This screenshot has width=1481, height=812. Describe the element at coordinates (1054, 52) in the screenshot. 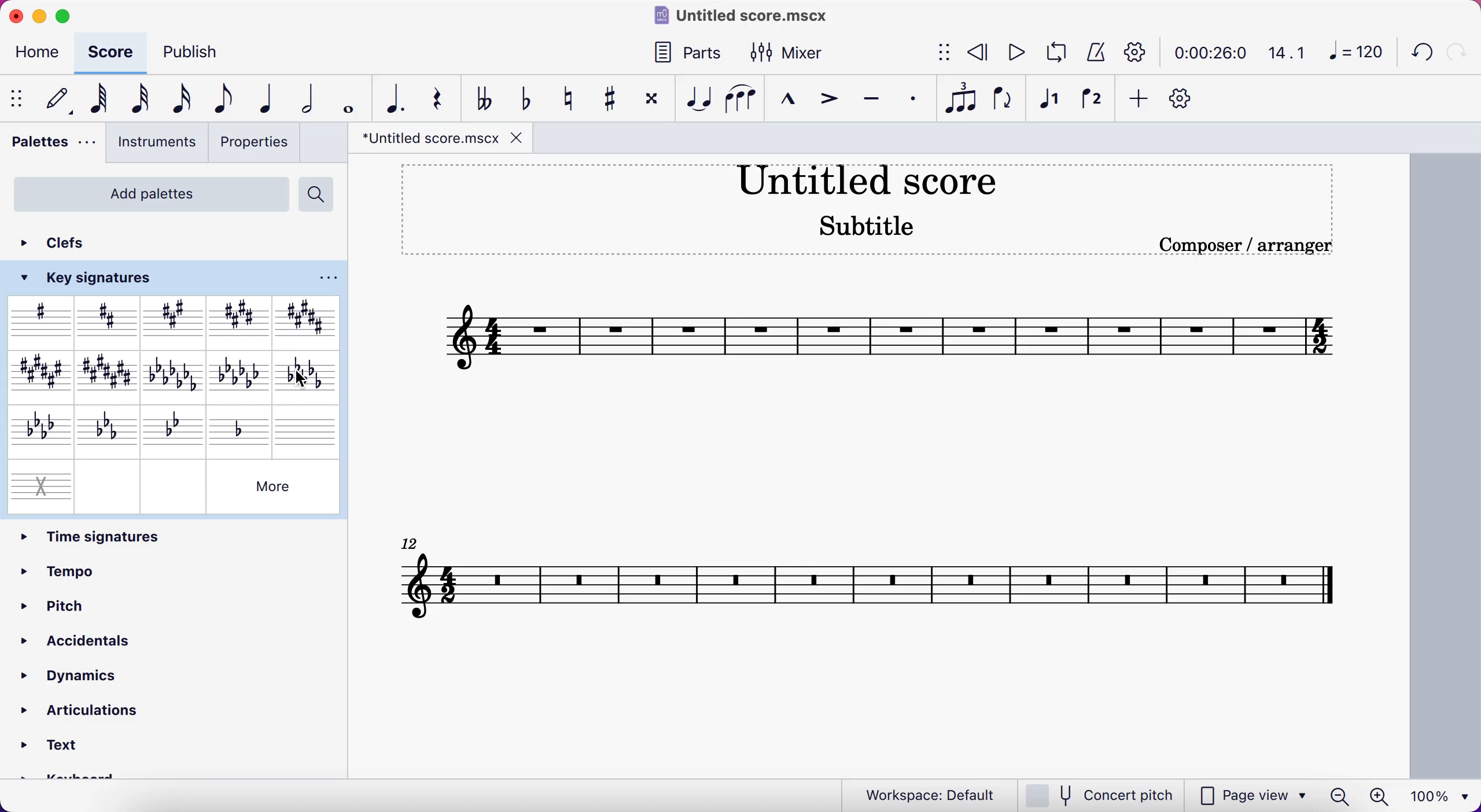

I see `loop playback` at that location.